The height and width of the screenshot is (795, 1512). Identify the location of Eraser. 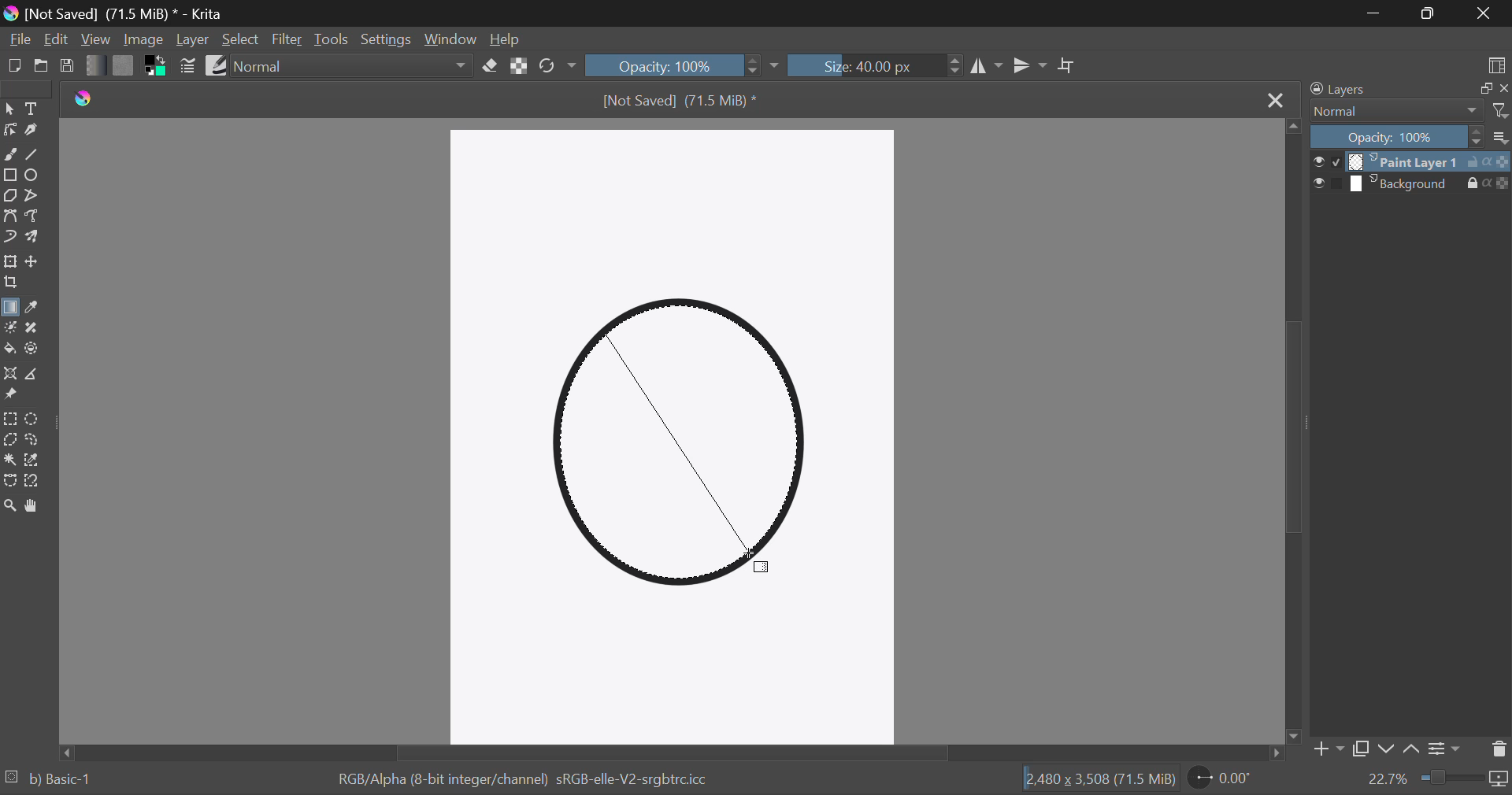
(490, 66).